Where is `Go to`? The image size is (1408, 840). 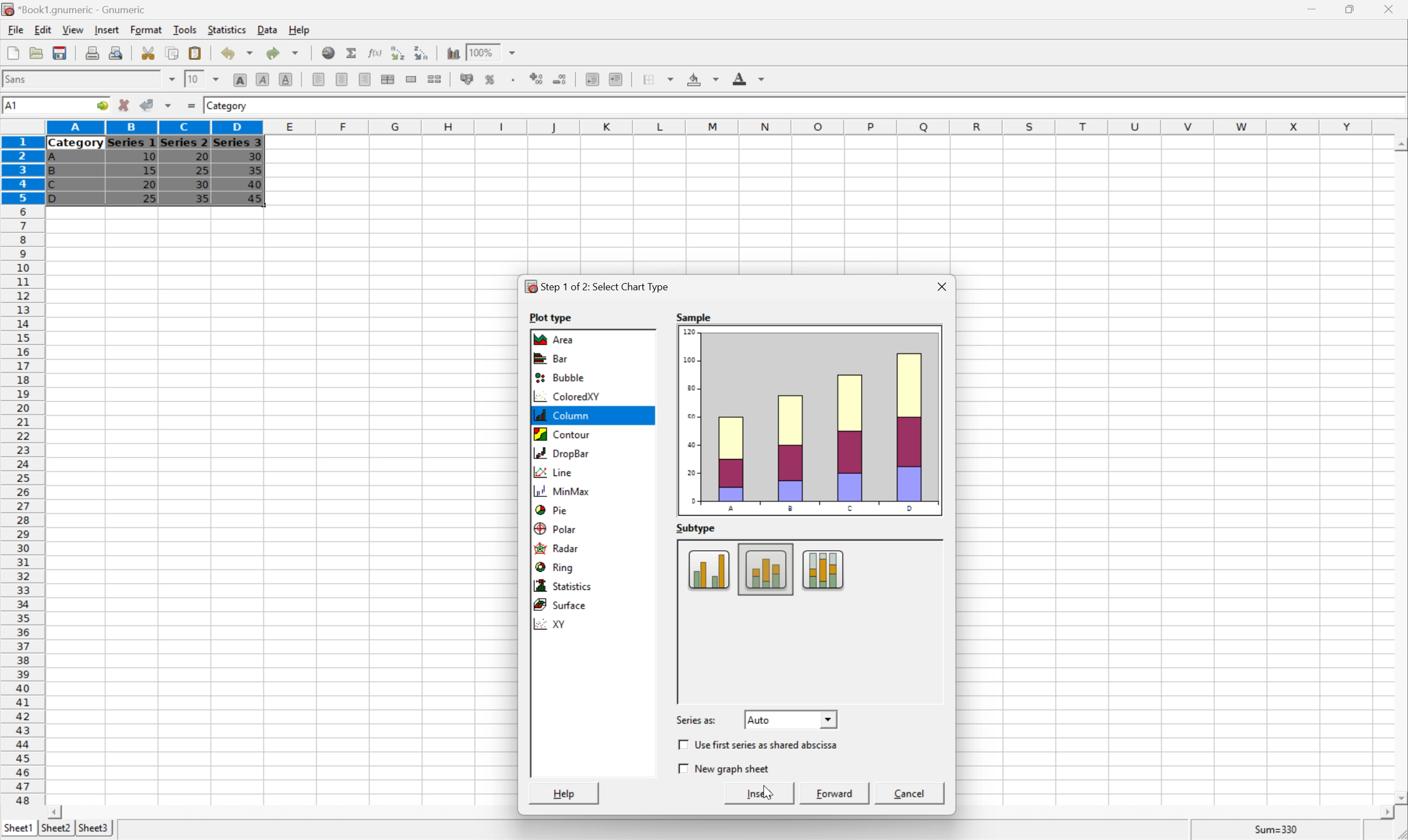
Go to is located at coordinates (100, 105).